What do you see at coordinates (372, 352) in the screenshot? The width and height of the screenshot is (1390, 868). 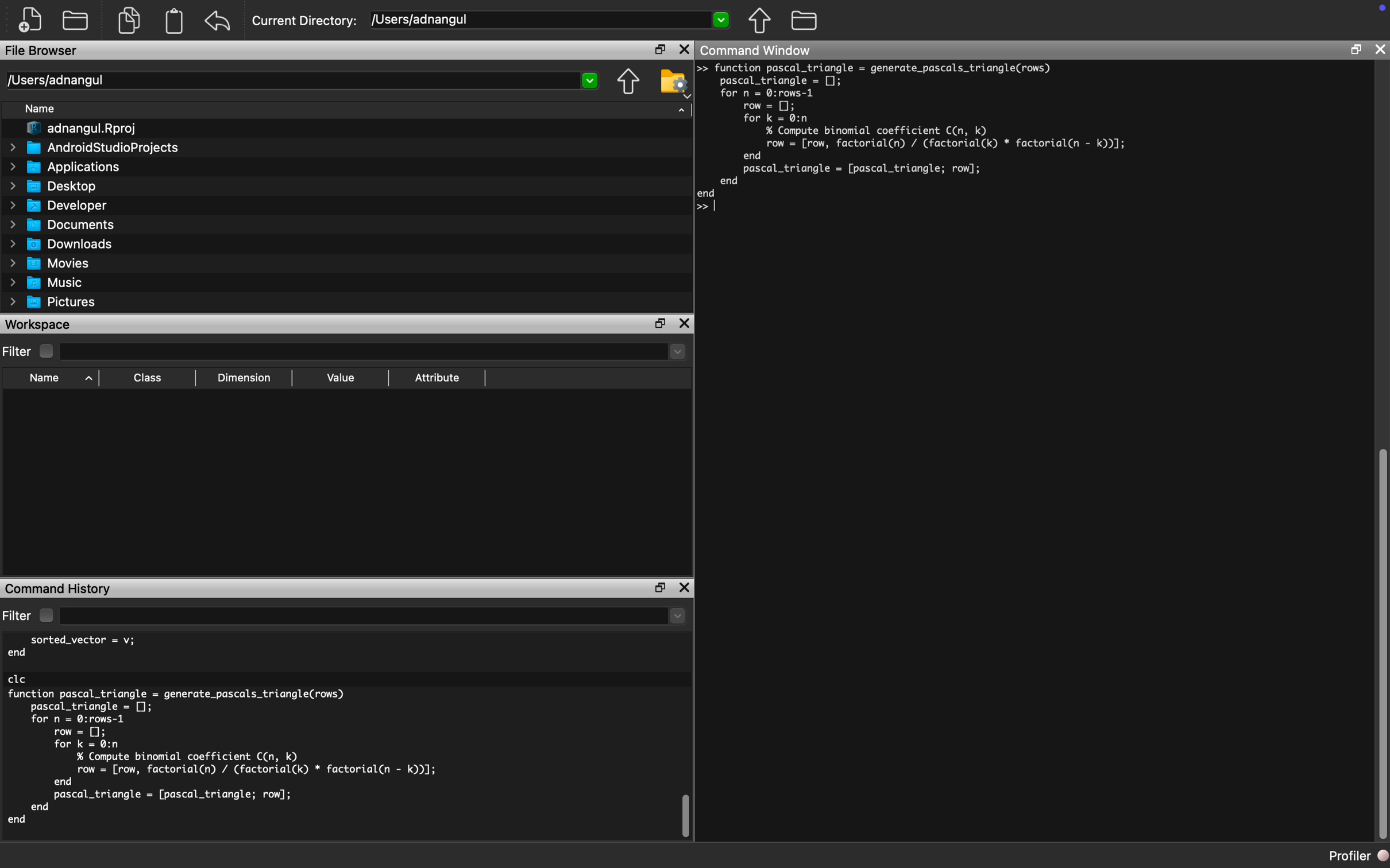 I see `Dropdown` at bounding box center [372, 352].